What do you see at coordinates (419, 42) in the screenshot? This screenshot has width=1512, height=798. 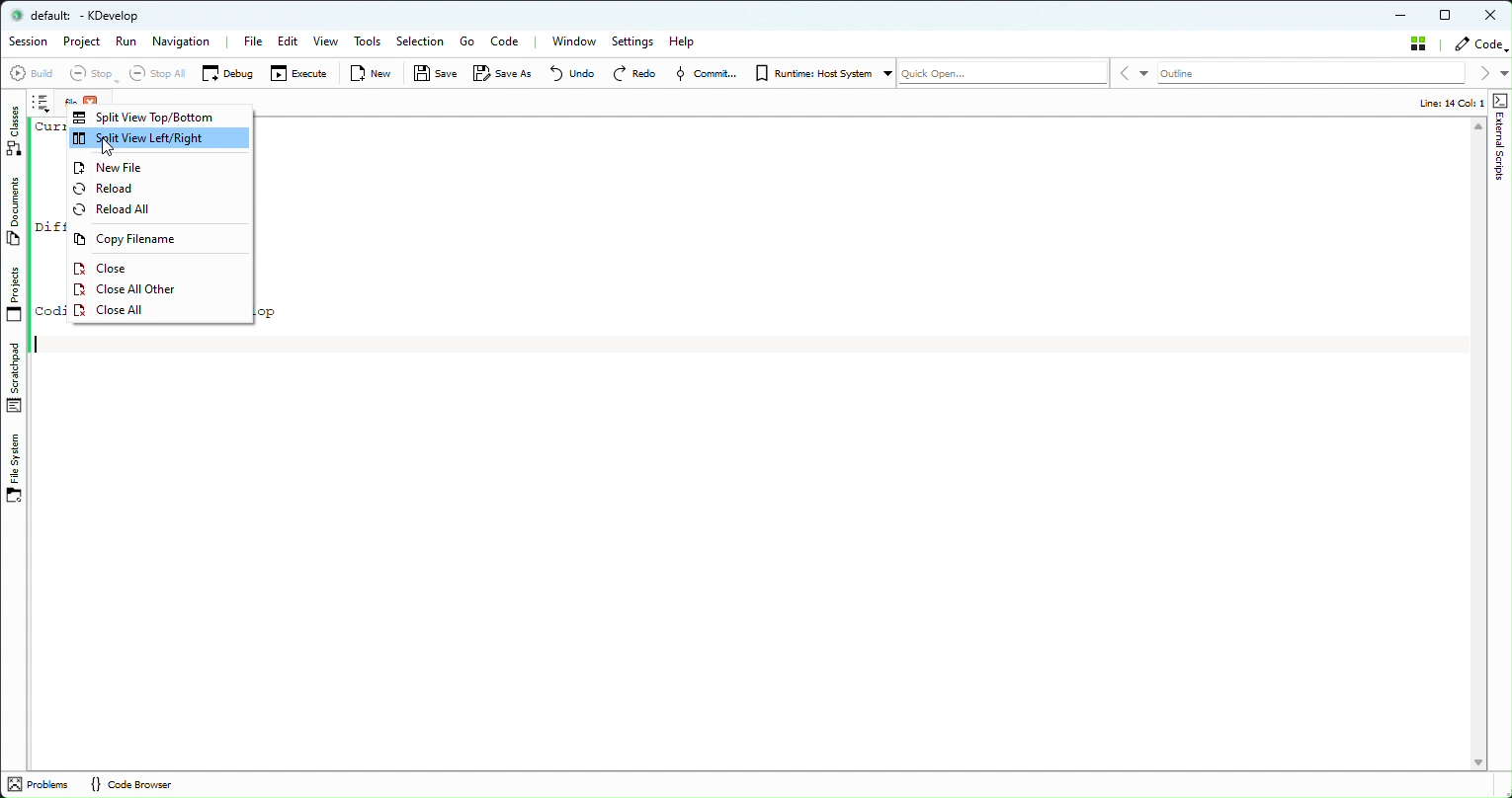 I see `Selection` at bounding box center [419, 42].